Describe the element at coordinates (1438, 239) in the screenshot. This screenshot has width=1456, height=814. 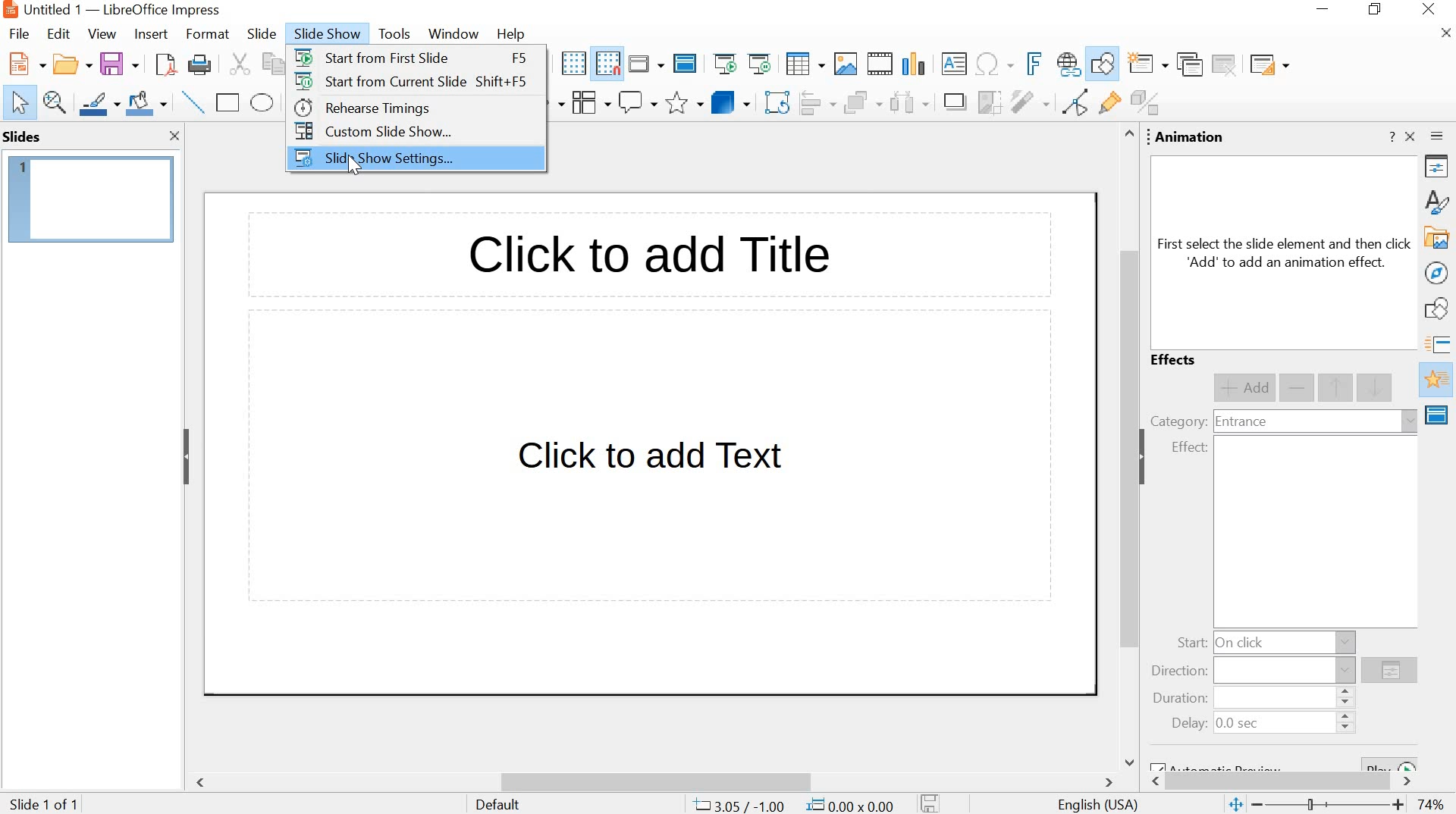
I see `gallery` at that location.